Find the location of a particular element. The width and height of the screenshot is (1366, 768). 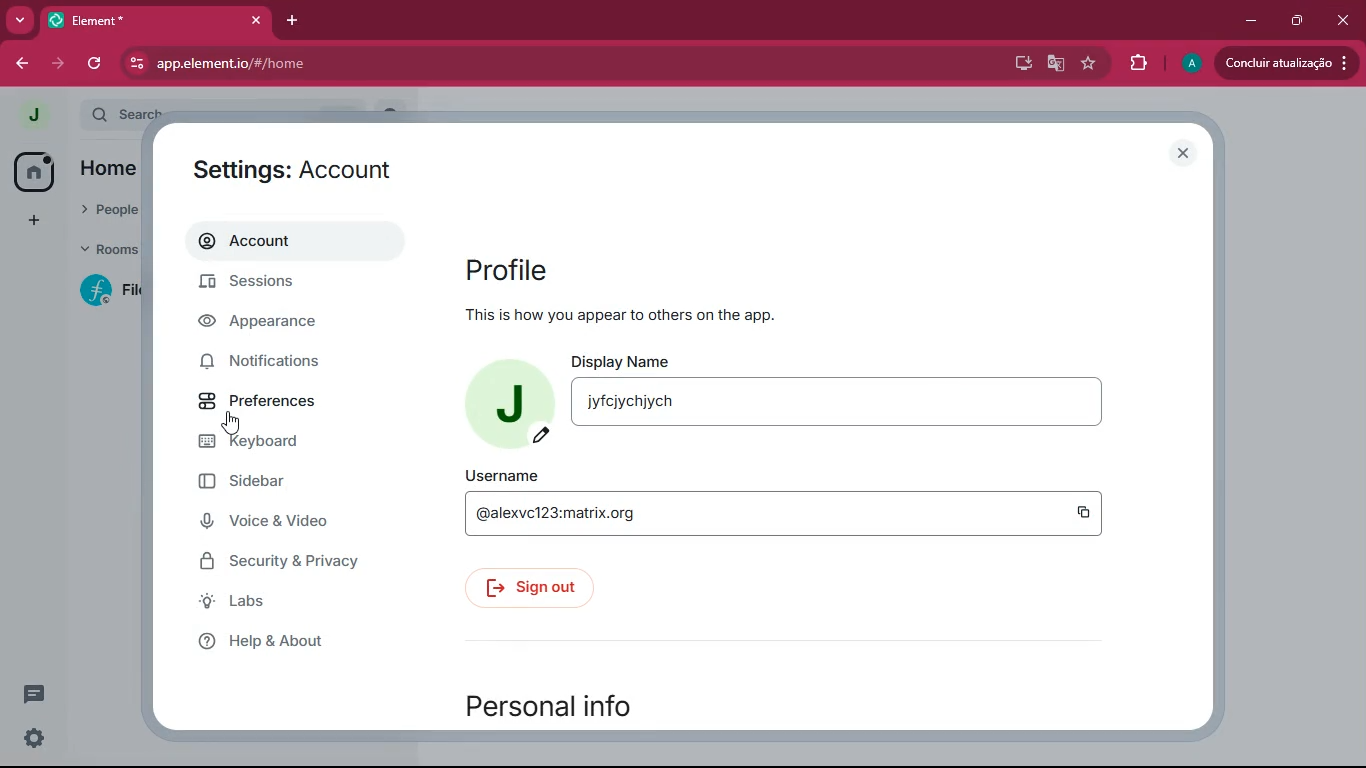

more is located at coordinates (16, 21).